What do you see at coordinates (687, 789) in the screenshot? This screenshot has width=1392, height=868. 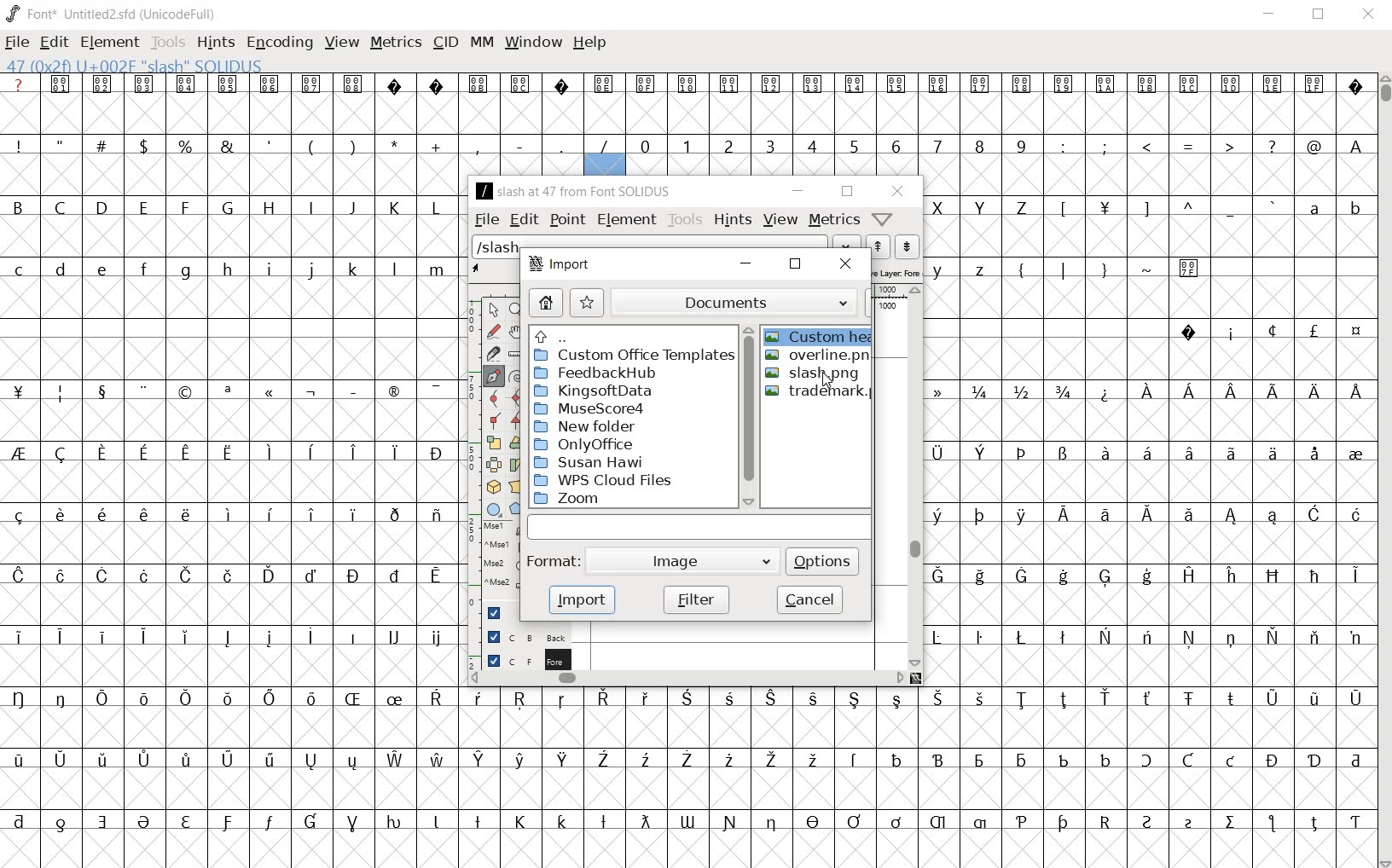 I see `empty cells` at bounding box center [687, 789].